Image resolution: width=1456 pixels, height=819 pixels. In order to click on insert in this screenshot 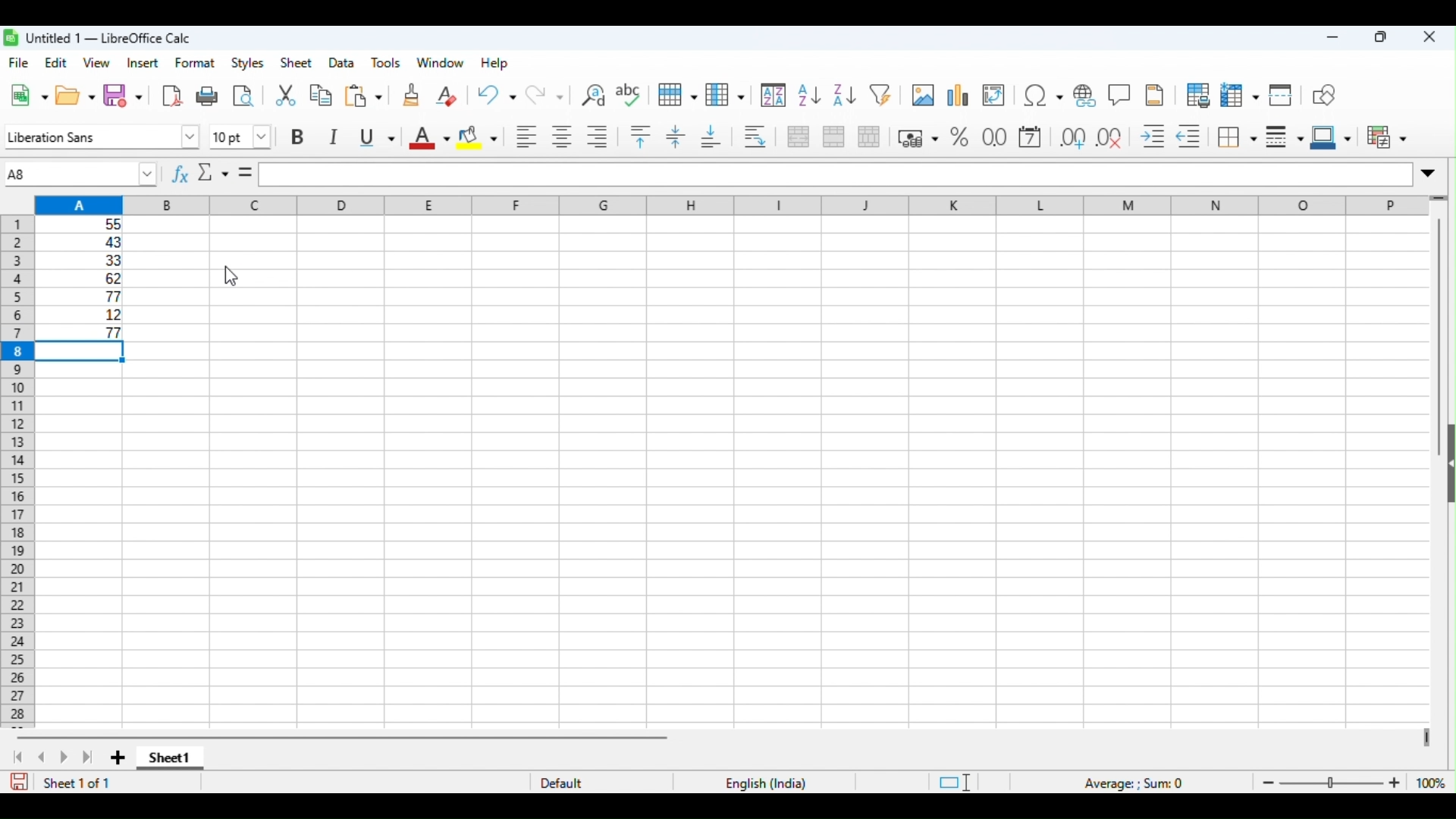, I will do `click(143, 63)`.